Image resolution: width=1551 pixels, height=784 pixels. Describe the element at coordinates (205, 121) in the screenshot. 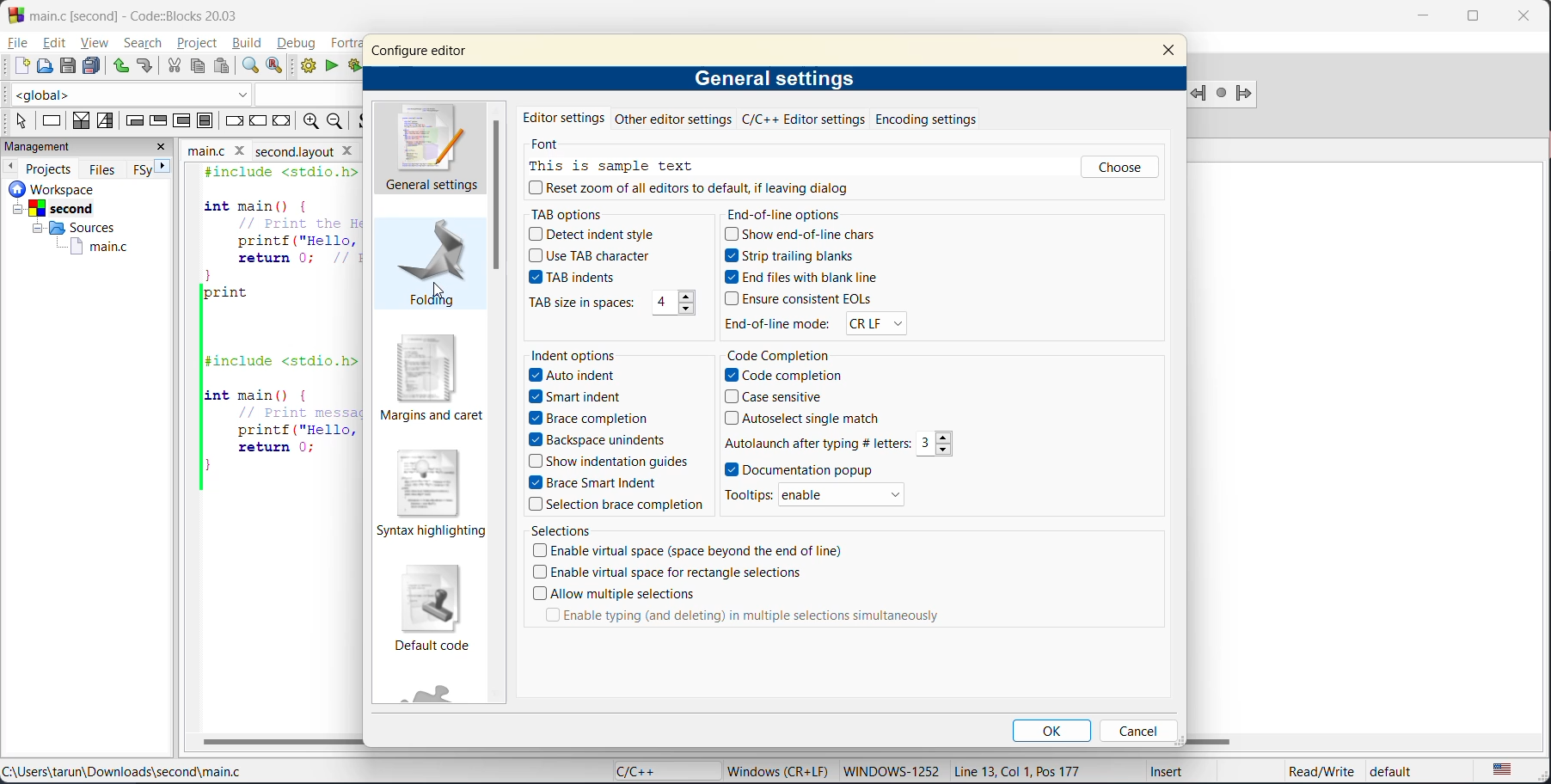

I see `block instruction` at that location.